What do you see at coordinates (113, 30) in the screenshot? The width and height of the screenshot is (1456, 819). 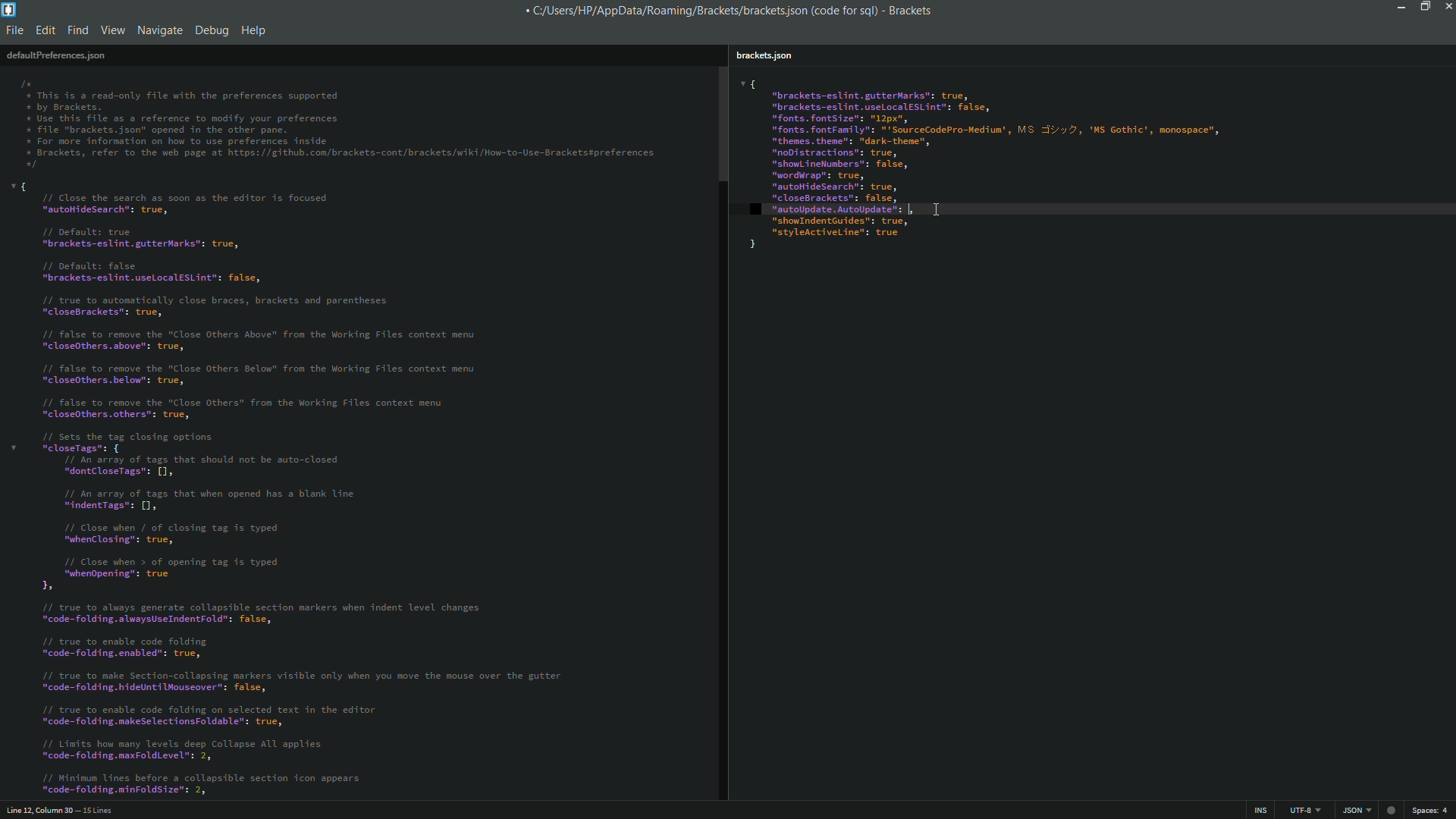 I see `view menu` at bounding box center [113, 30].